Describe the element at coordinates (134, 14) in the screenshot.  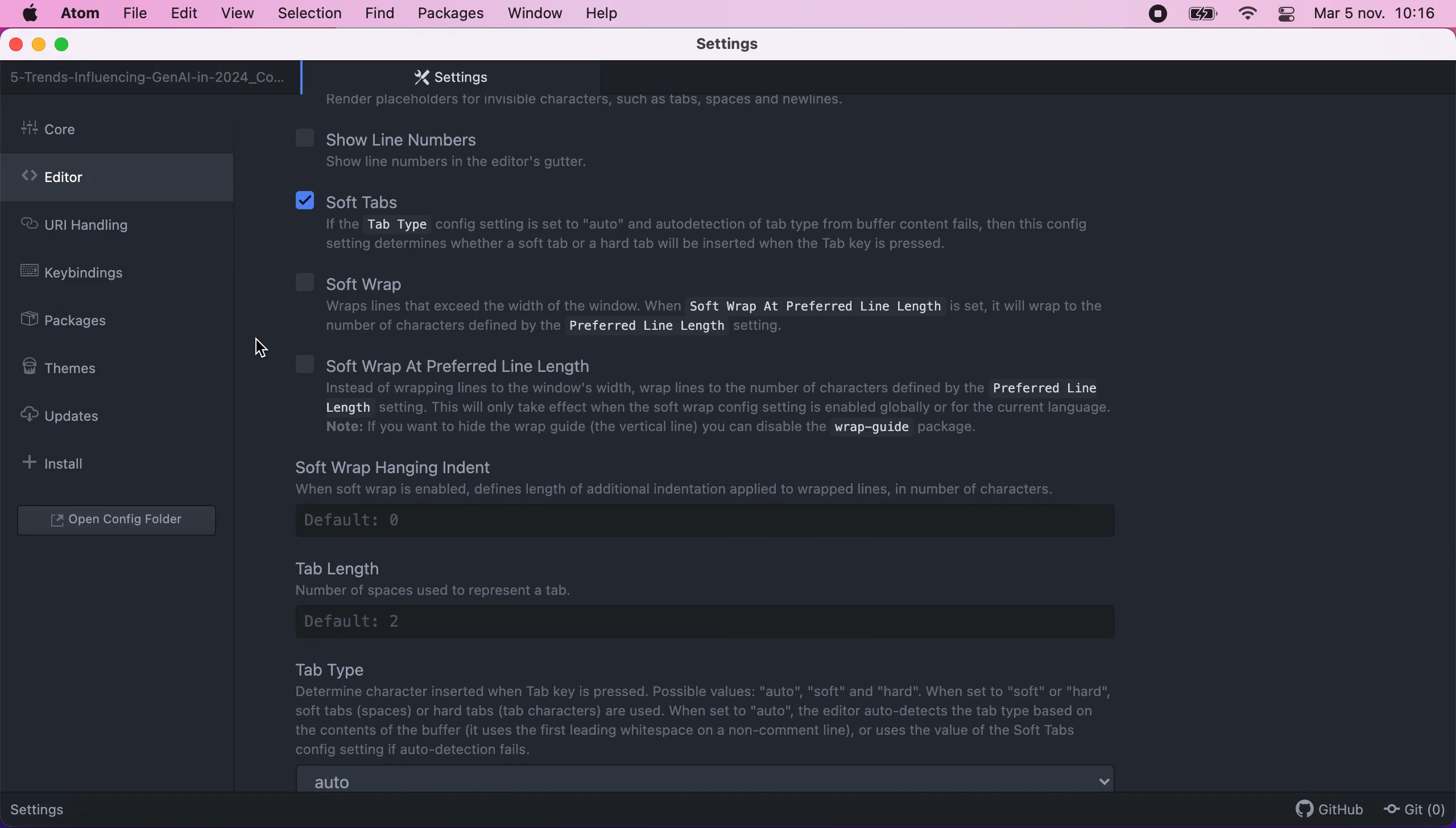
I see `file` at that location.